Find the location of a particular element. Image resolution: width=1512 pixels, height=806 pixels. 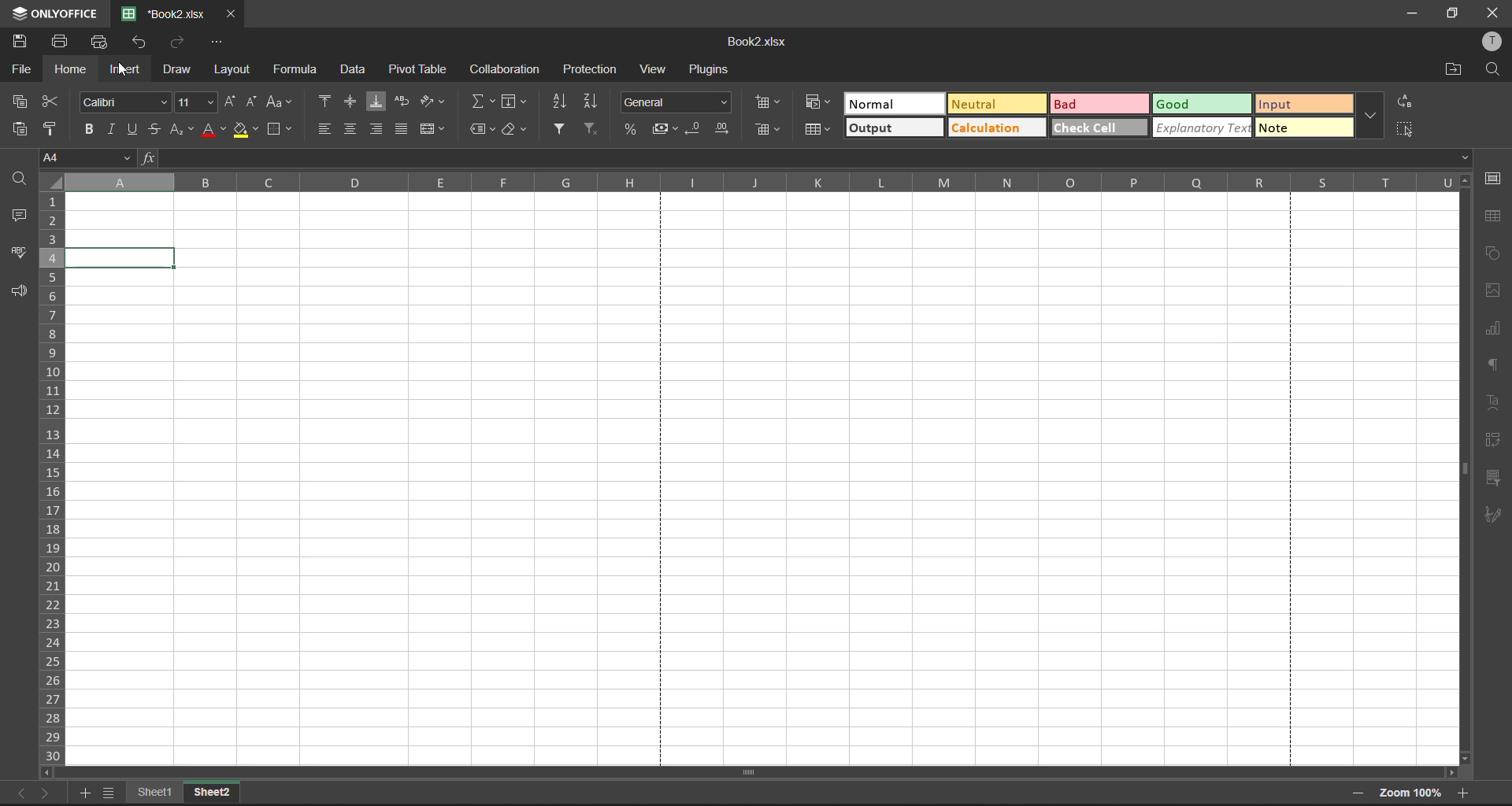

zoom out is located at coordinates (1352, 794).